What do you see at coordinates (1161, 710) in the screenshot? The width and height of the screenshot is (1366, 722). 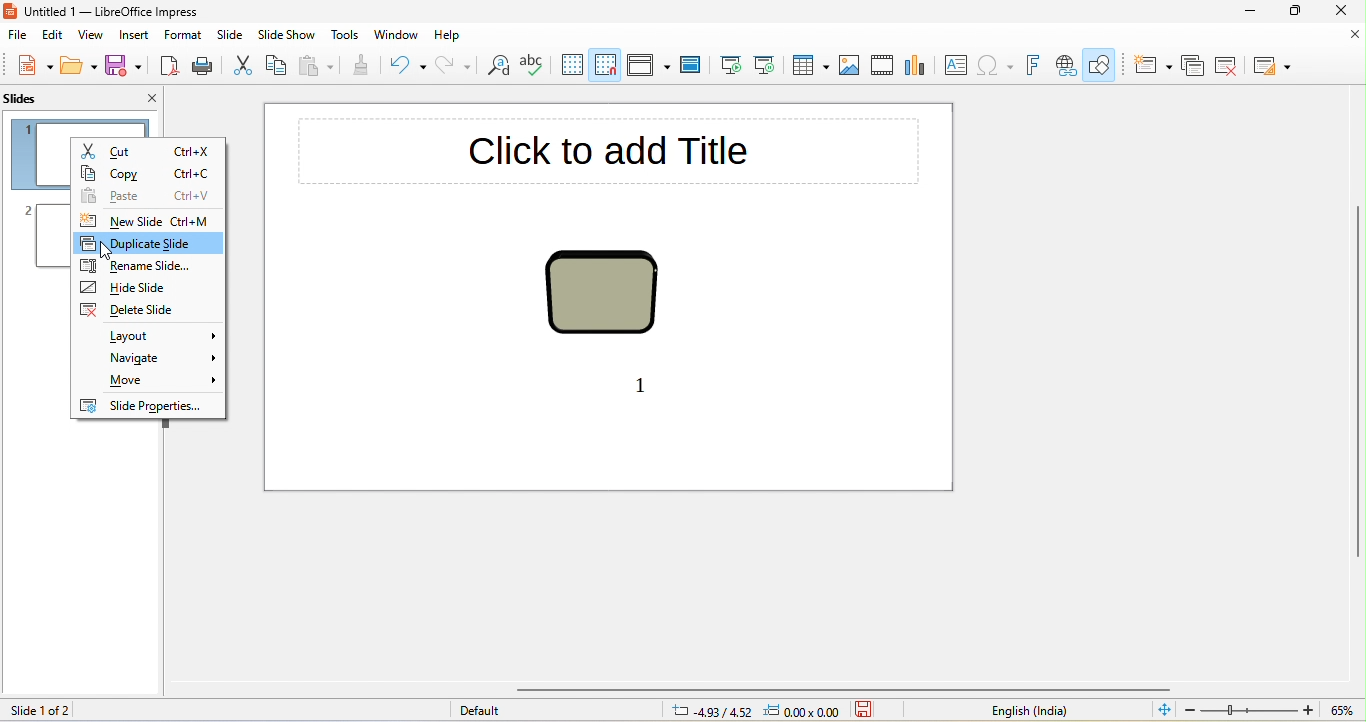 I see `fit slide to current window` at bounding box center [1161, 710].